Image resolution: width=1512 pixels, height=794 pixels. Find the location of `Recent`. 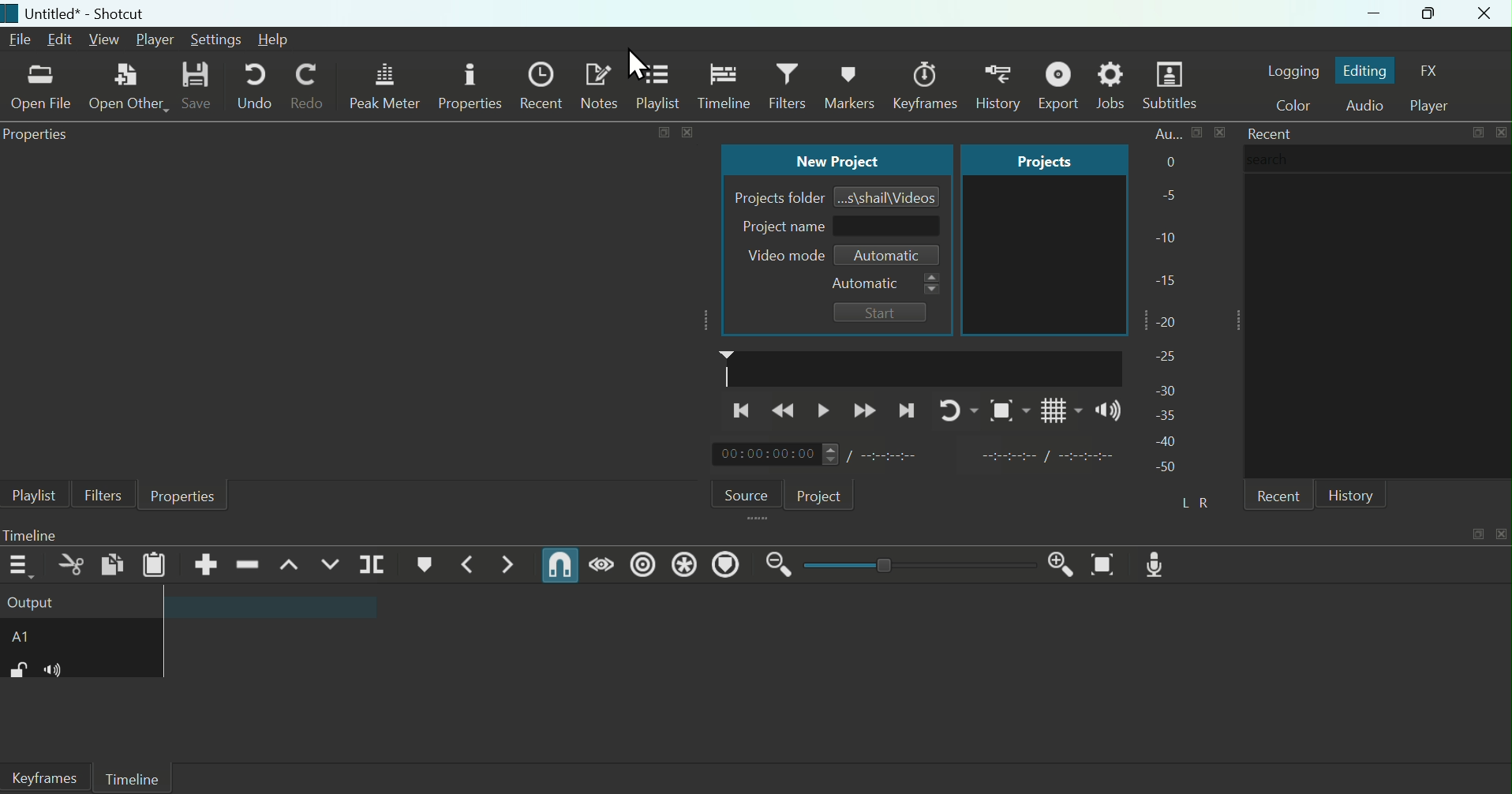

Recent is located at coordinates (1269, 133).